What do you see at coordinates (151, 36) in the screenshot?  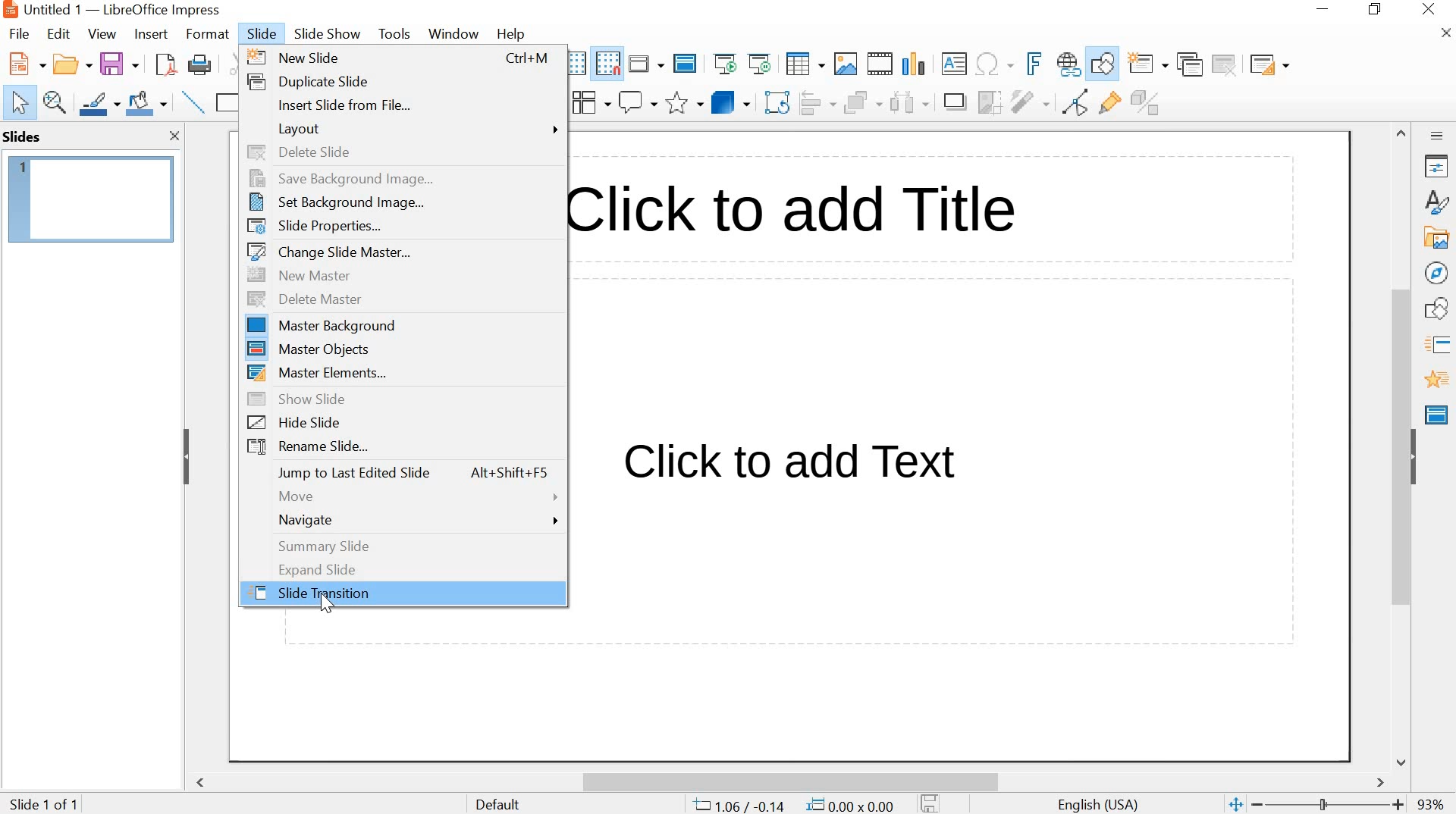 I see `INSERT` at bounding box center [151, 36].